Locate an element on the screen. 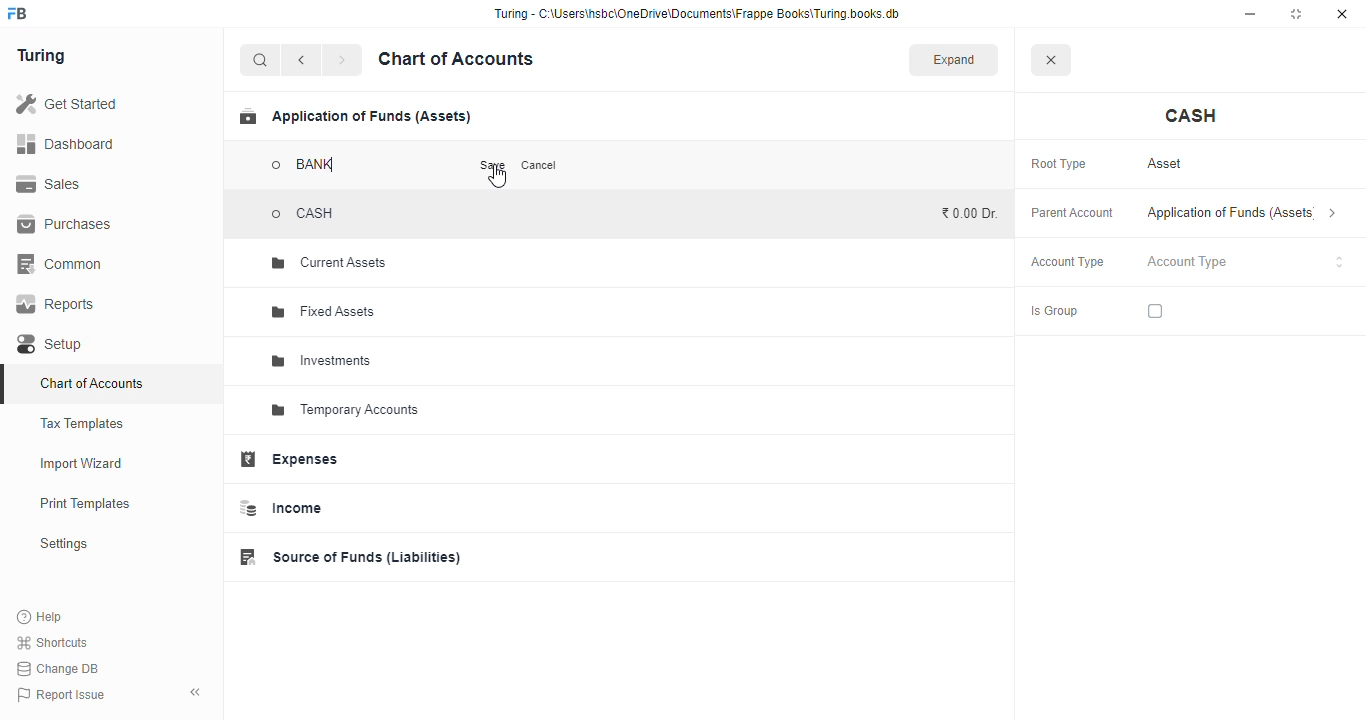  chart of accounts is located at coordinates (92, 383).